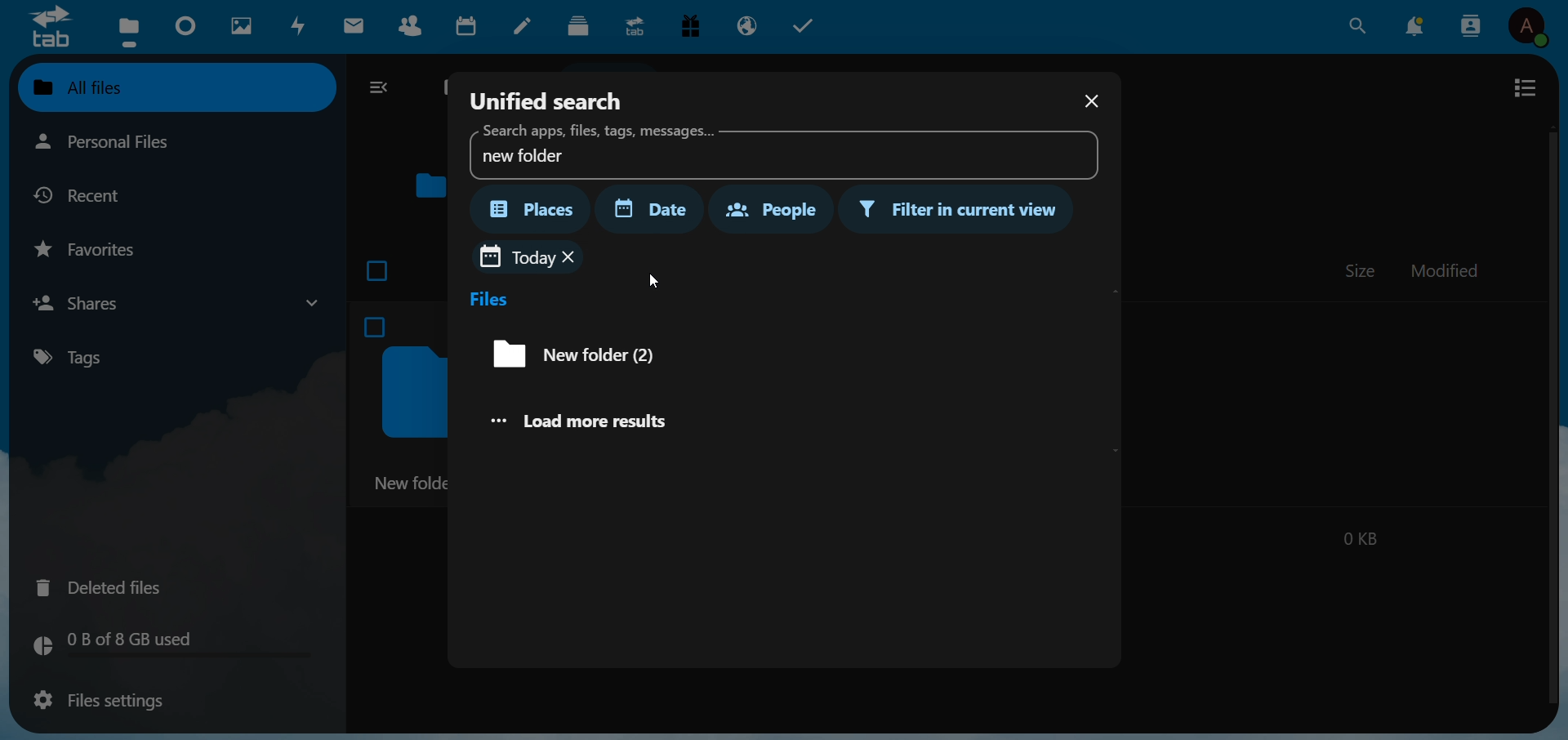 The image size is (1568, 740). Describe the element at coordinates (95, 702) in the screenshot. I see `files setting` at that location.